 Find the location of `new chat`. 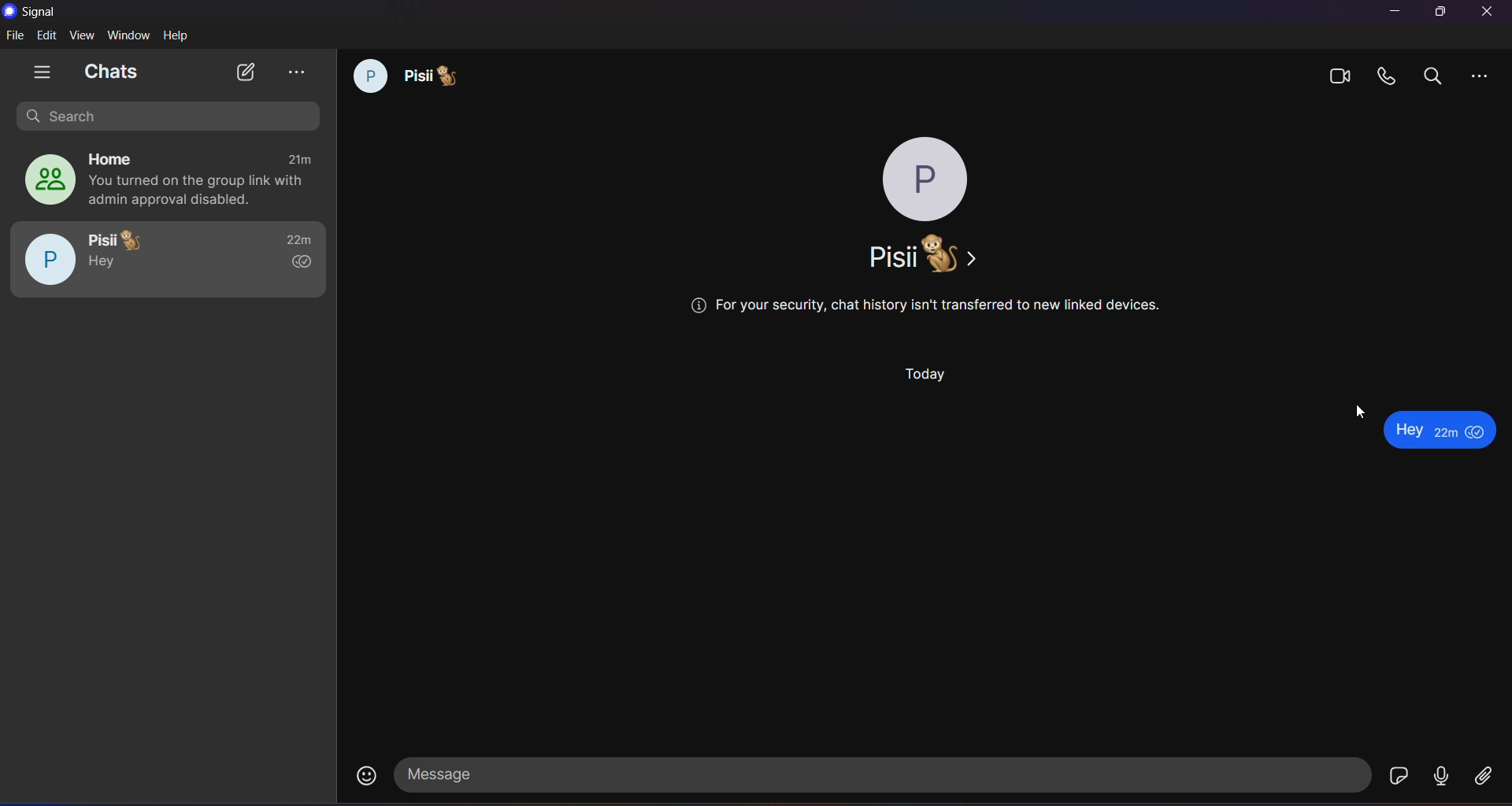

new chat is located at coordinates (246, 72).